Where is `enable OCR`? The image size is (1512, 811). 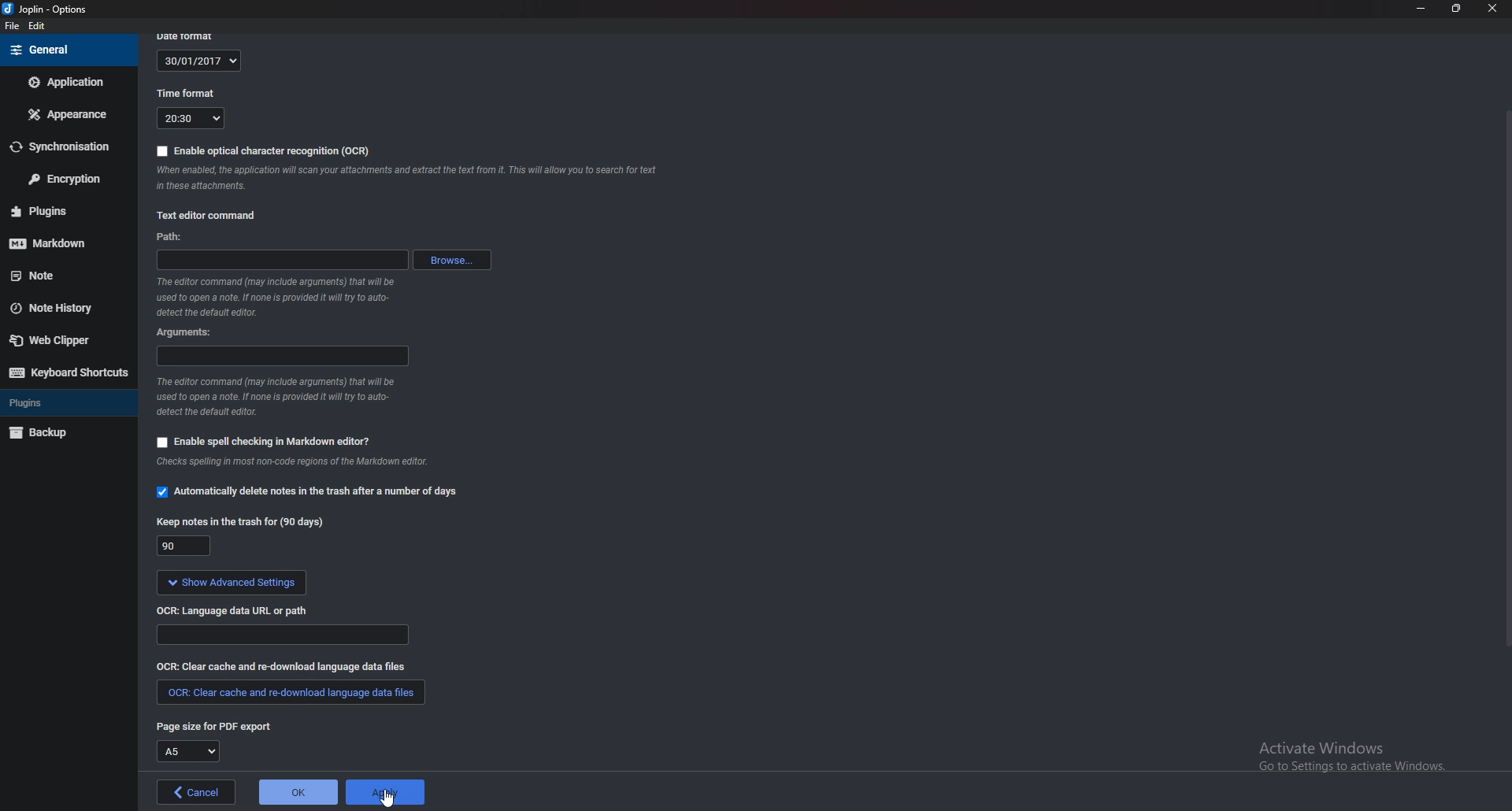 enable OCR is located at coordinates (266, 151).